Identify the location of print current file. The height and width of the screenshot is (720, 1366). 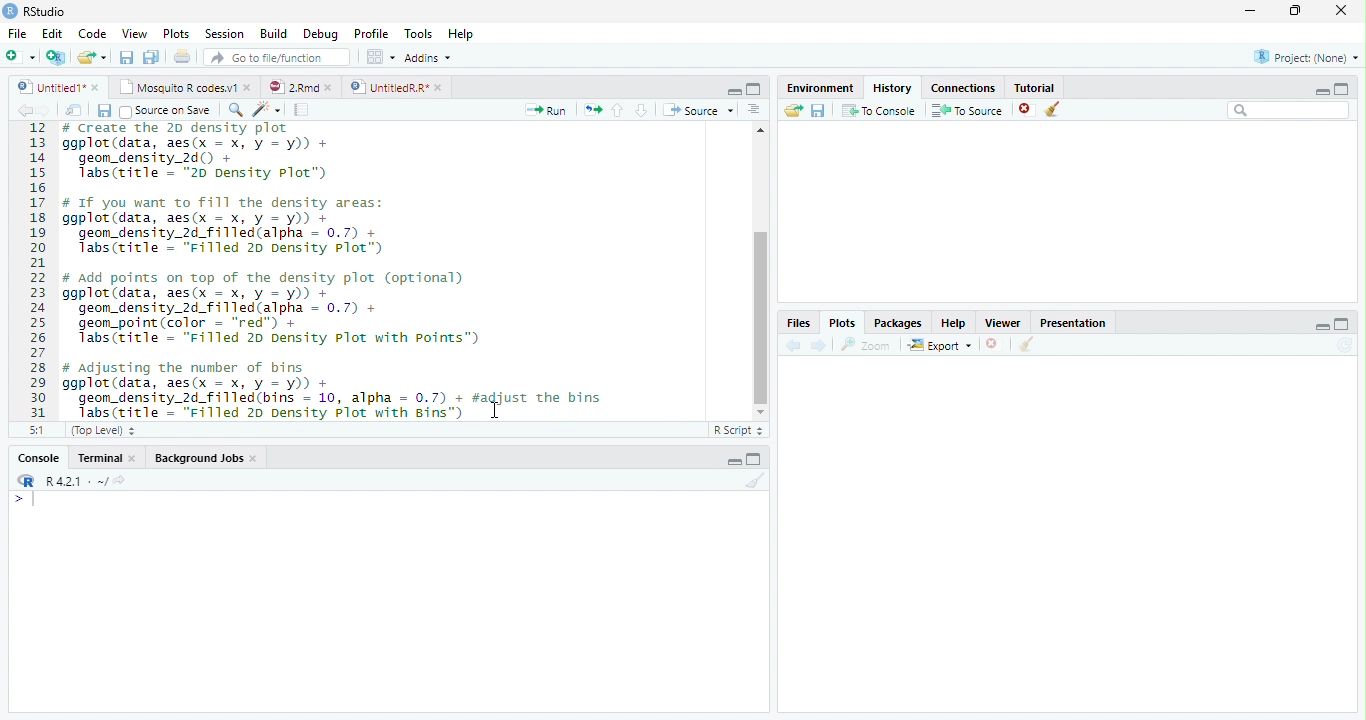
(182, 56).